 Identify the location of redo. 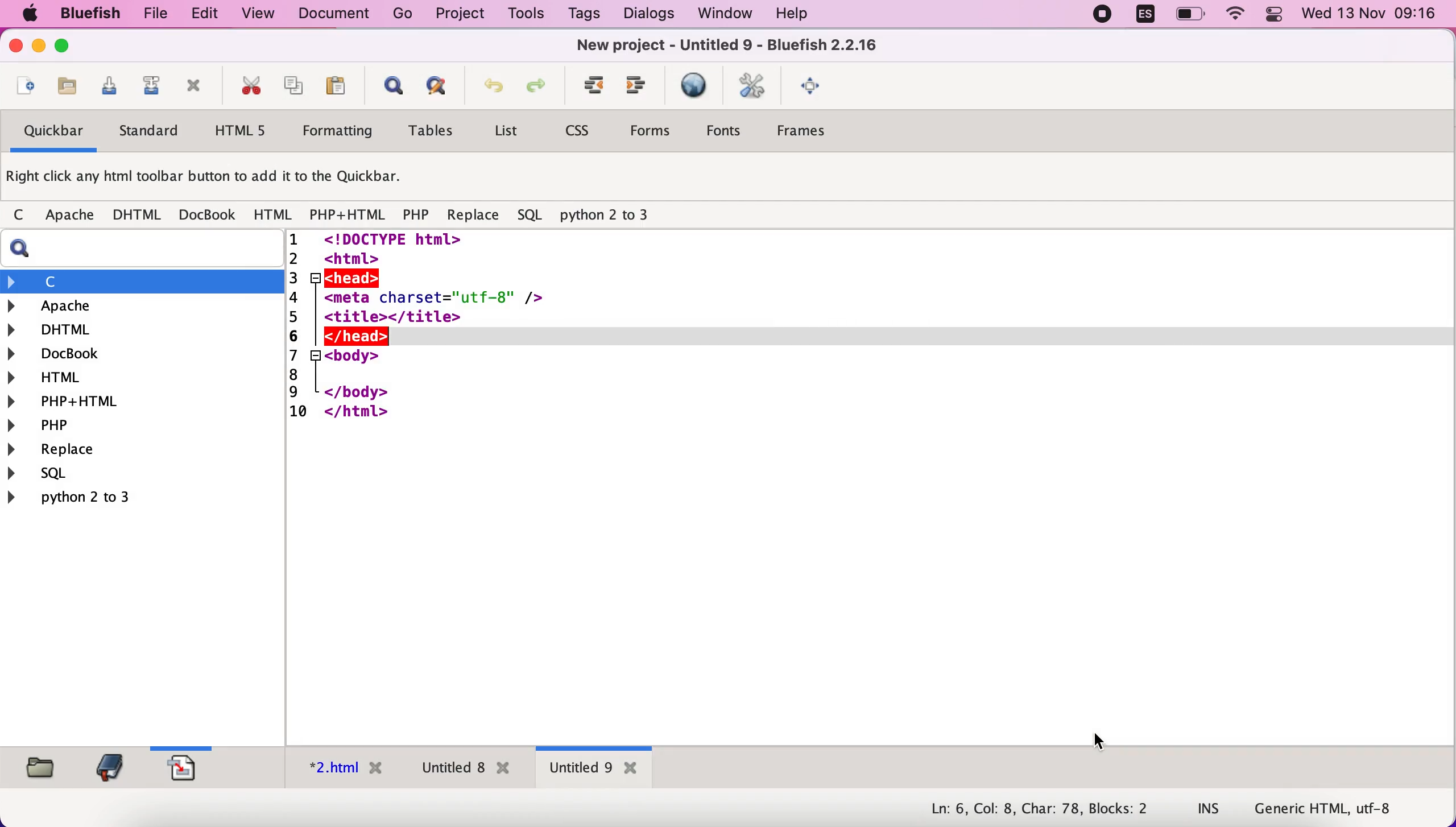
(535, 90).